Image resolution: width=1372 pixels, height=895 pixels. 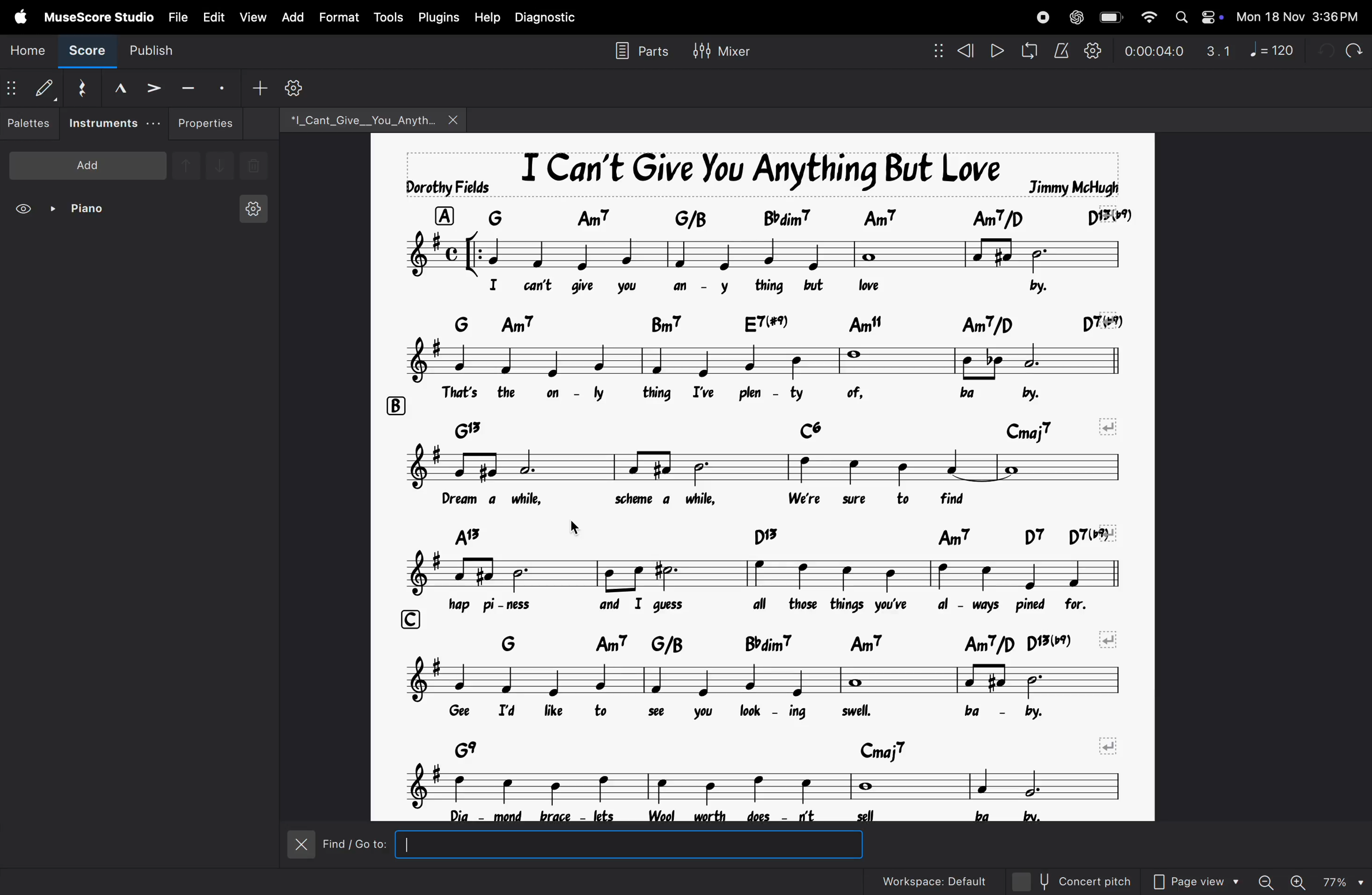 What do you see at coordinates (787, 717) in the screenshot?
I see `lyrics` at bounding box center [787, 717].